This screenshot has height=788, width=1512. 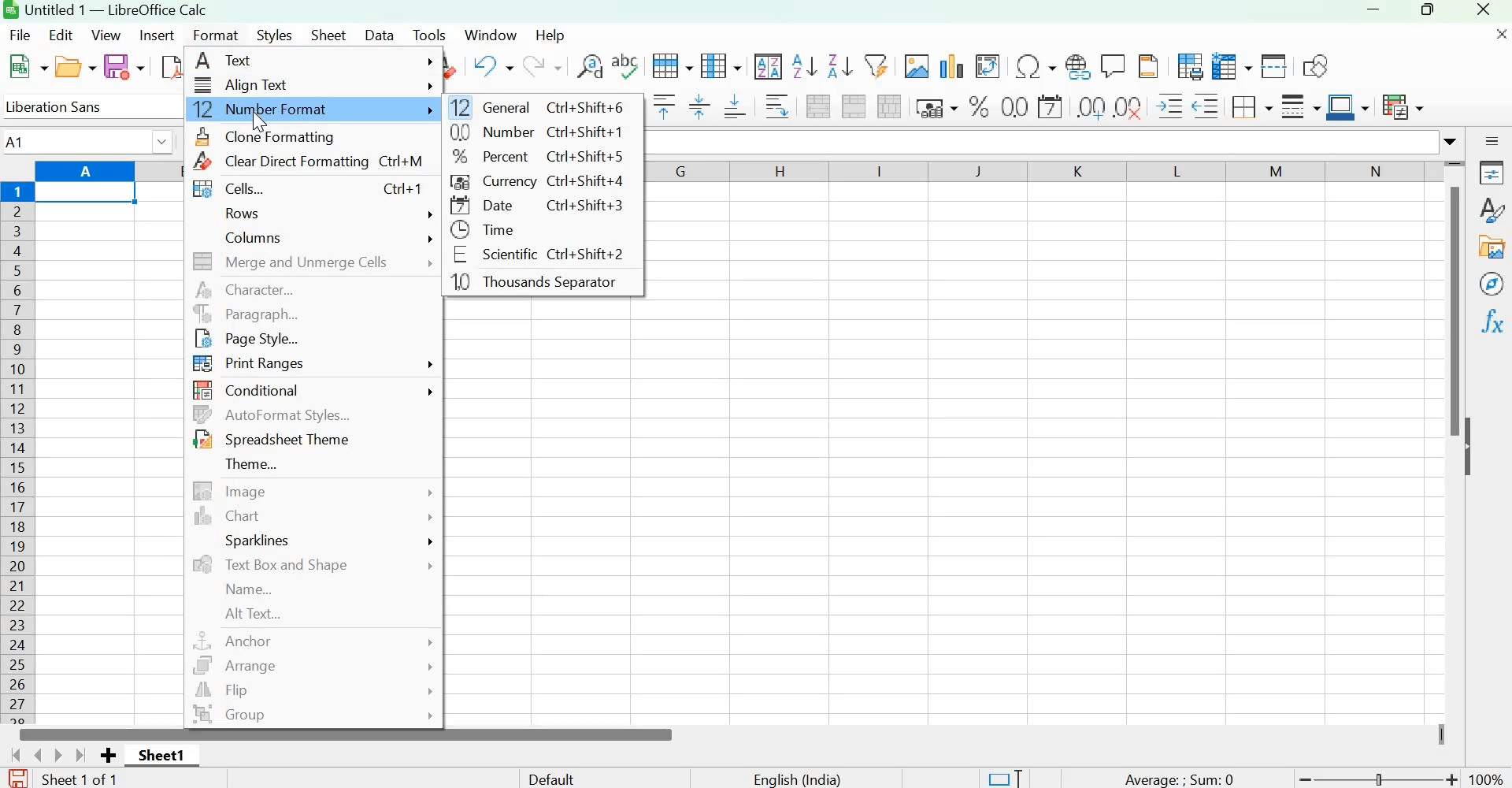 I want to click on Row, so click(x=673, y=65).